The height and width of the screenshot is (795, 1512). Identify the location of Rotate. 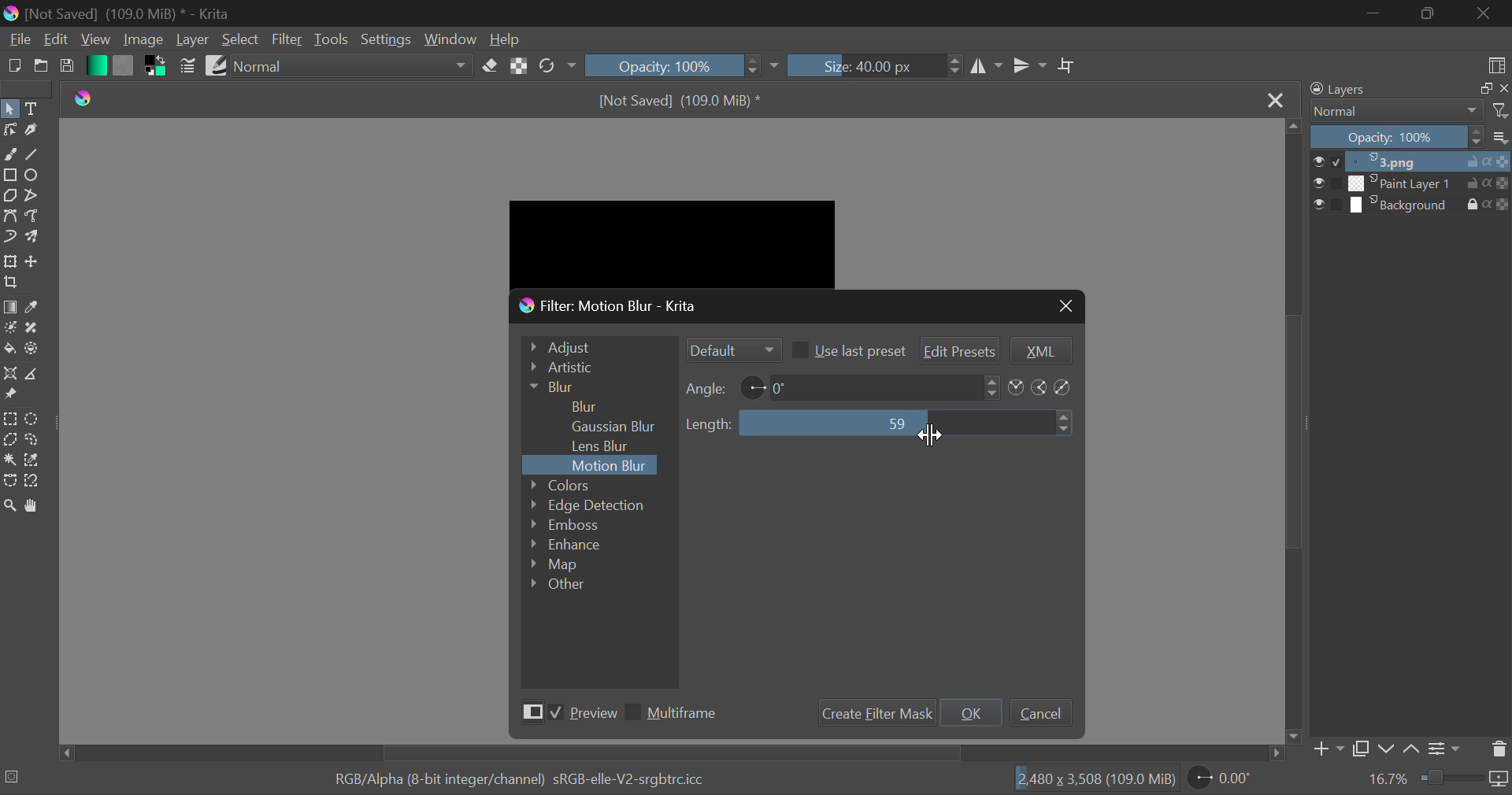
(558, 65).